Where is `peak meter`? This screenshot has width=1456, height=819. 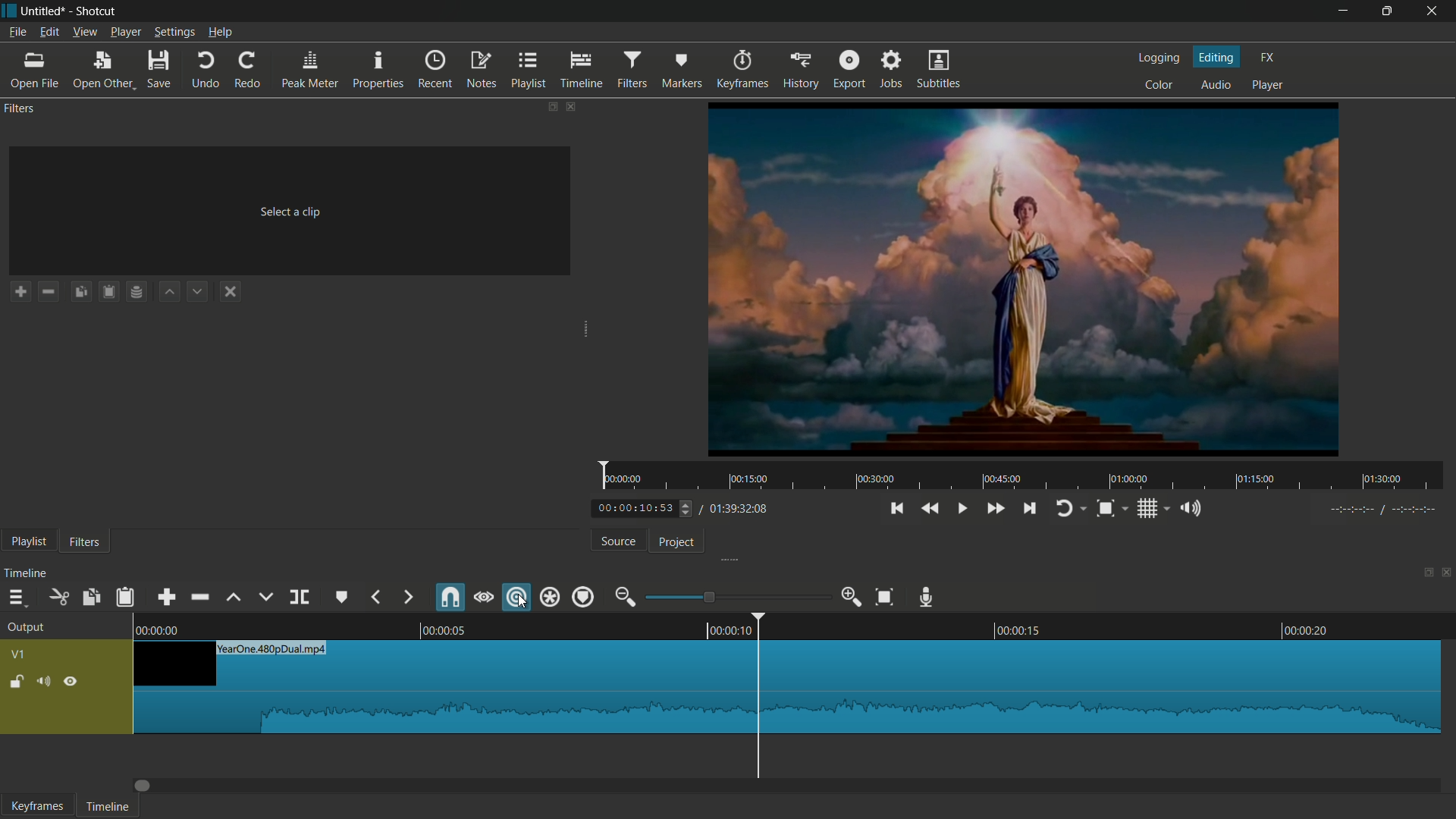
peak meter is located at coordinates (310, 70).